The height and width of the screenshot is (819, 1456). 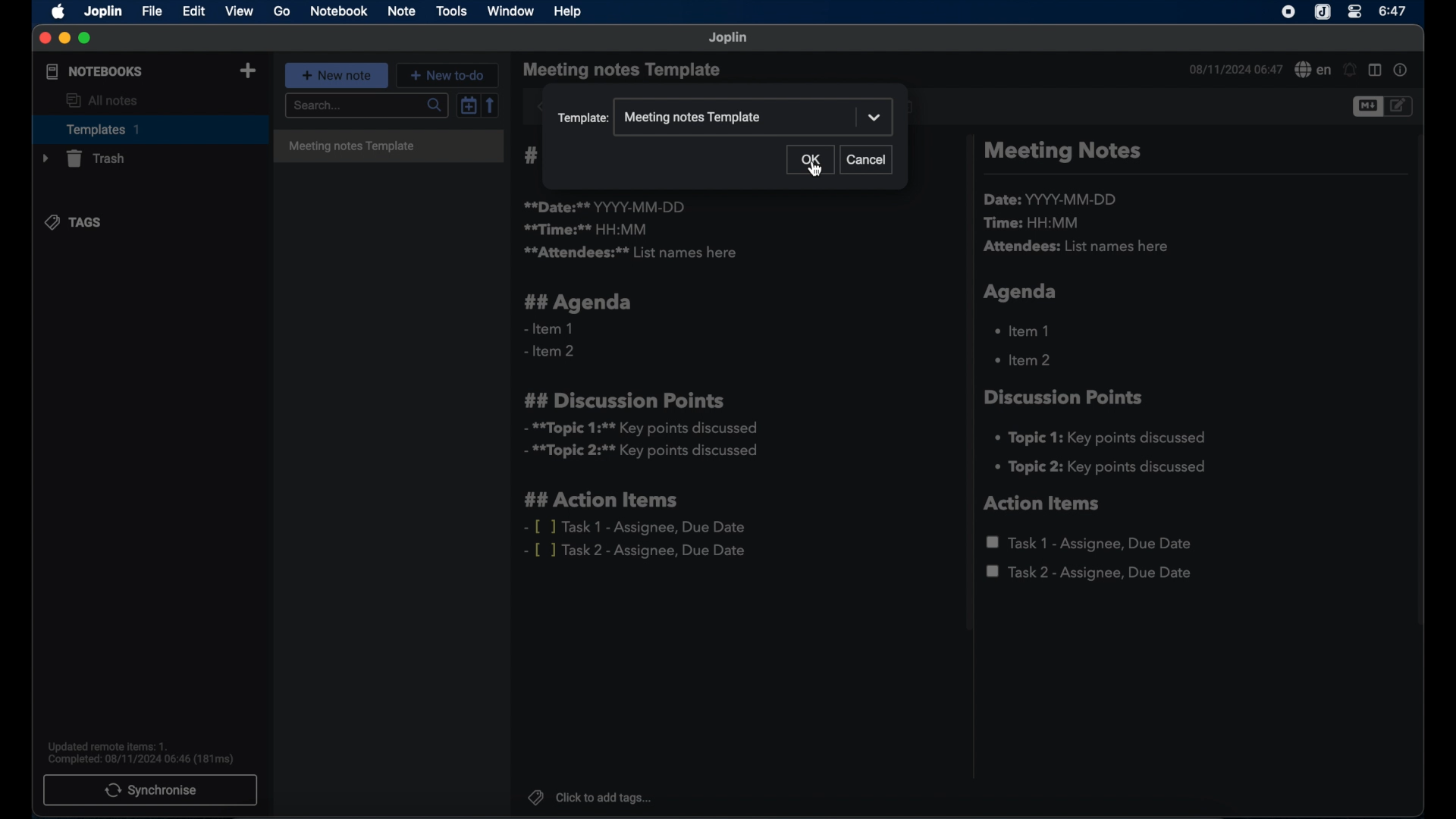 I want to click on window, so click(x=511, y=12).